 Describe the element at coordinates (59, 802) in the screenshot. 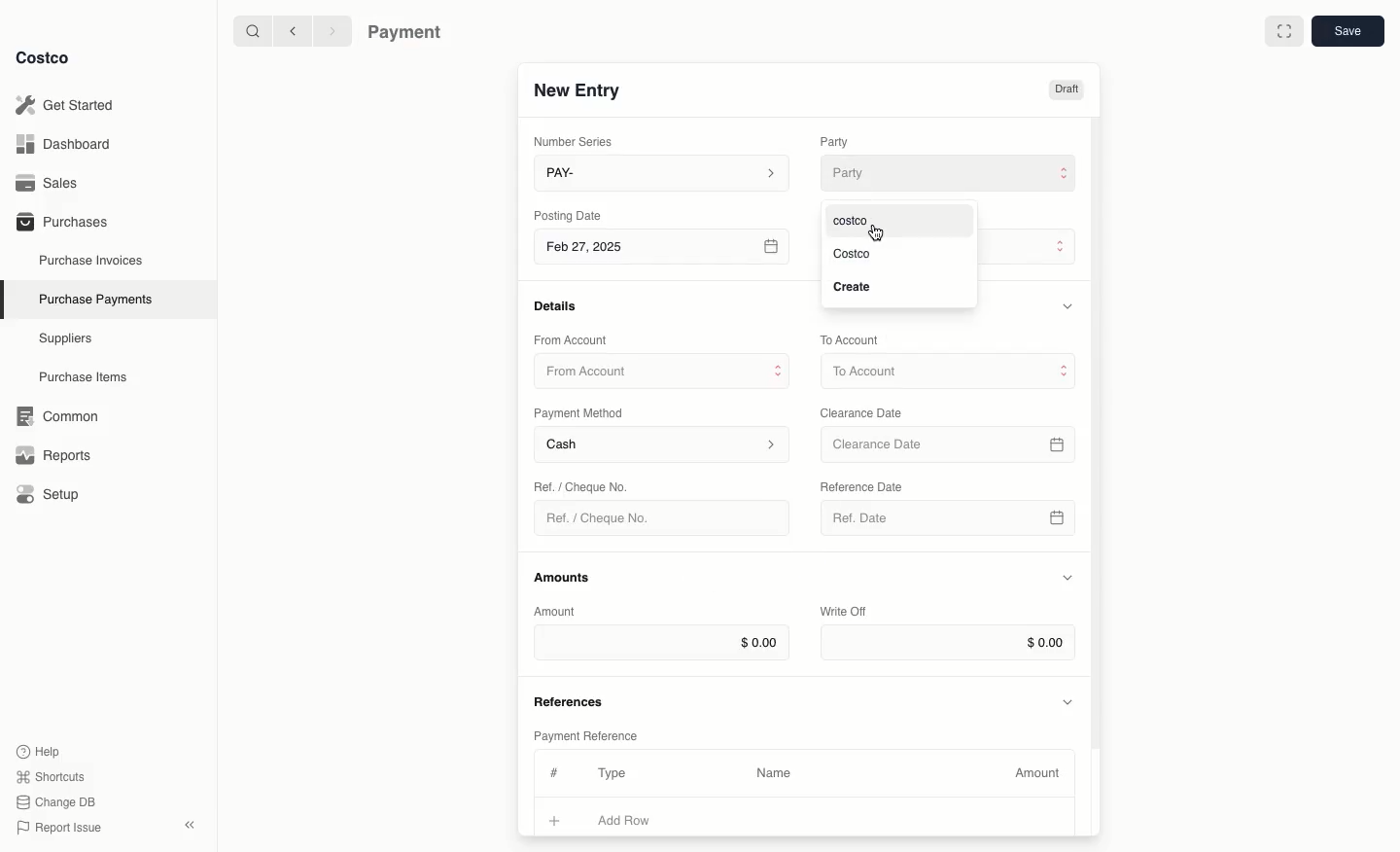

I see `Change DB` at that location.